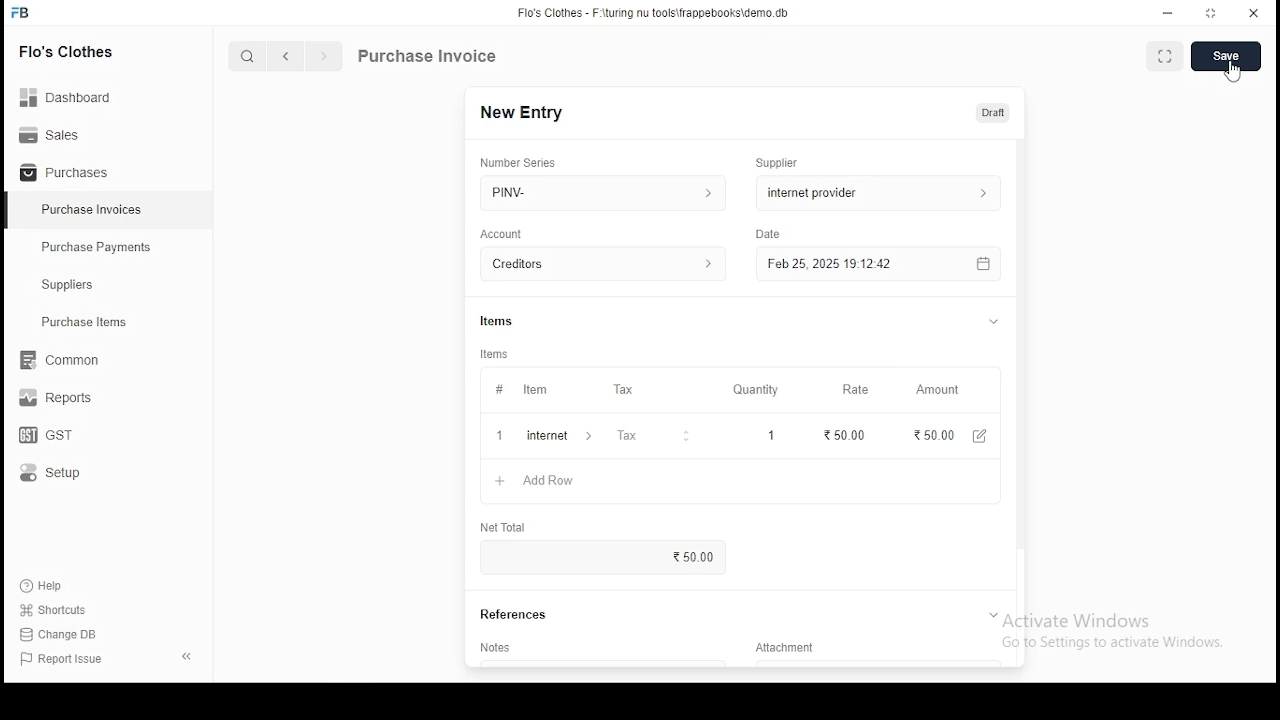 The width and height of the screenshot is (1280, 720). What do you see at coordinates (936, 390) in the screenshot?
I see `amount` at bounding box center [936, 390].